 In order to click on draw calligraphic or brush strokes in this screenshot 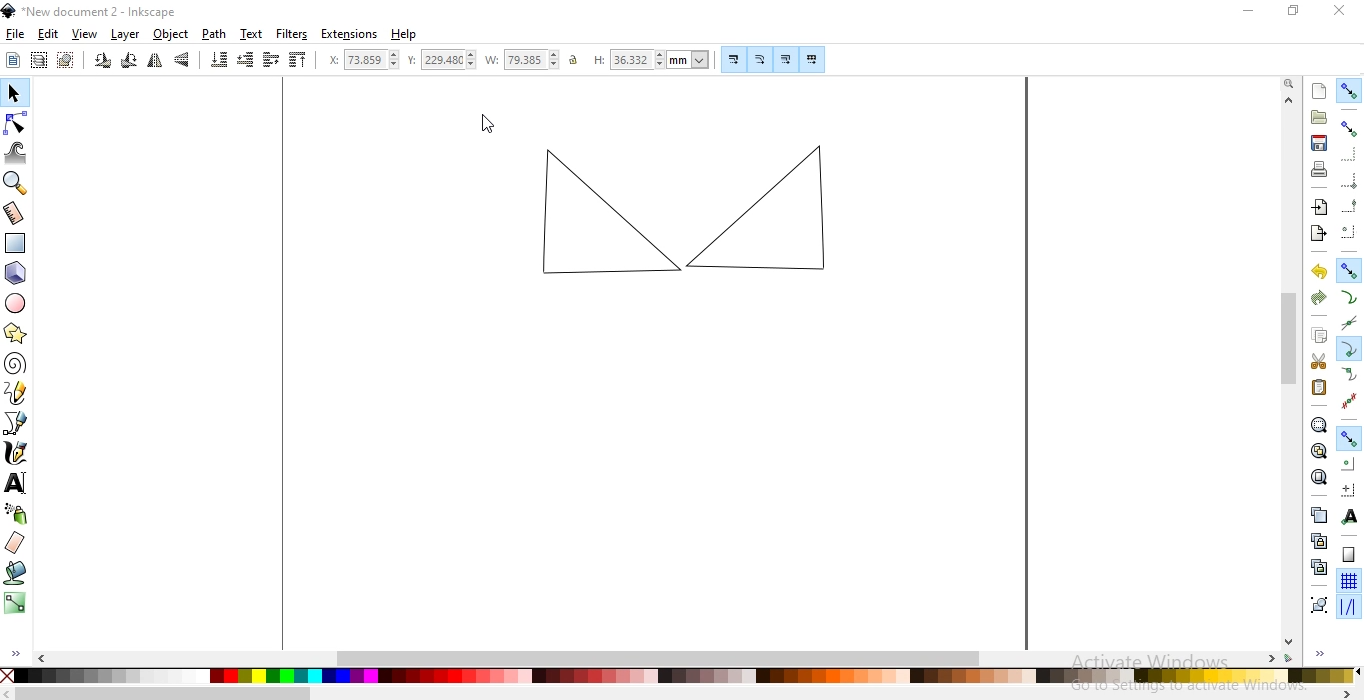, I will do `click(16, 453)`.